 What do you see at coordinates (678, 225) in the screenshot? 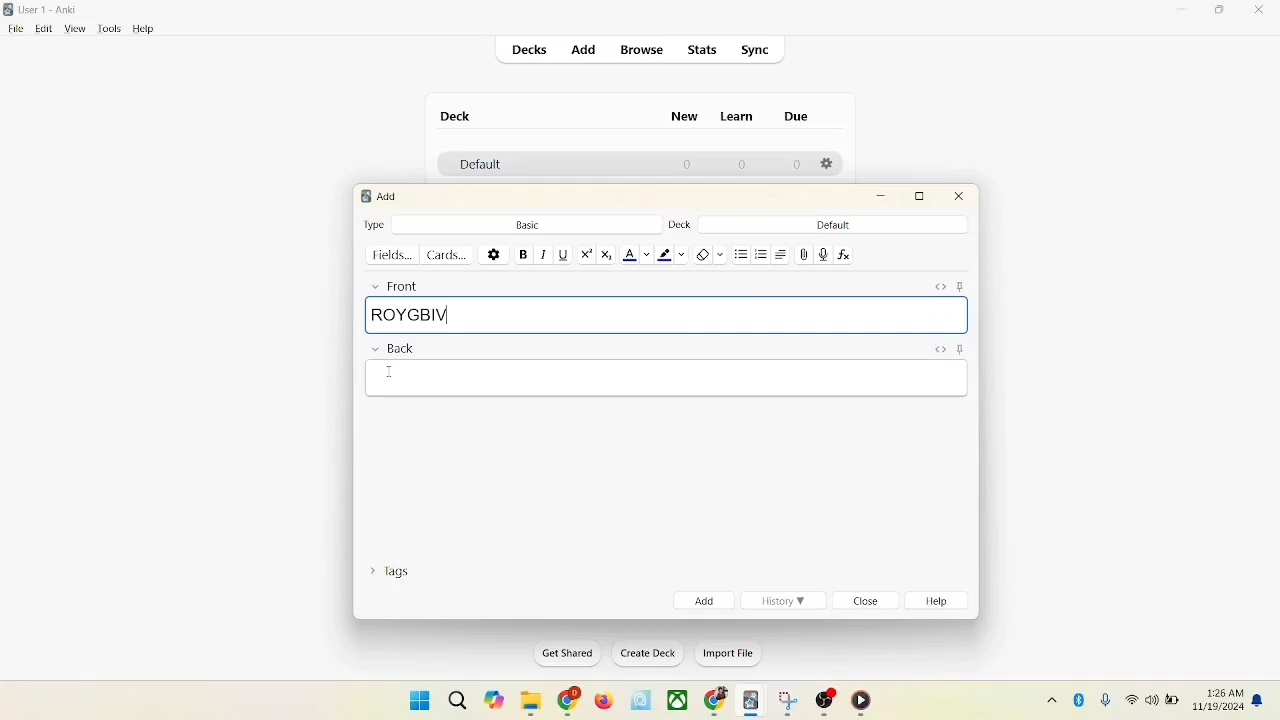
I see `deck` at bounding box center [678, 225].